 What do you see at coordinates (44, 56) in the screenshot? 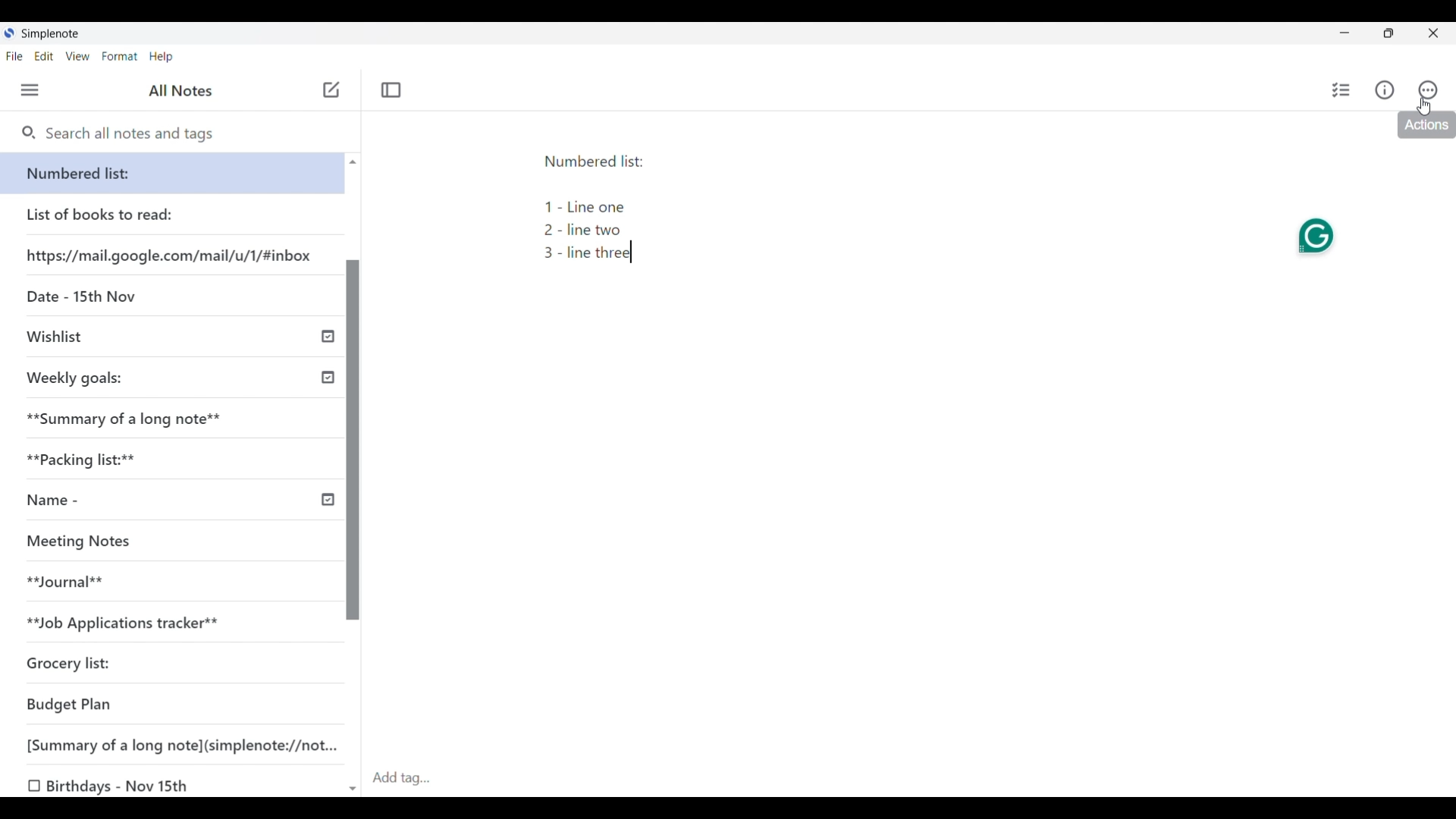
I see `Edit menu` at bounding box center [44, 56].